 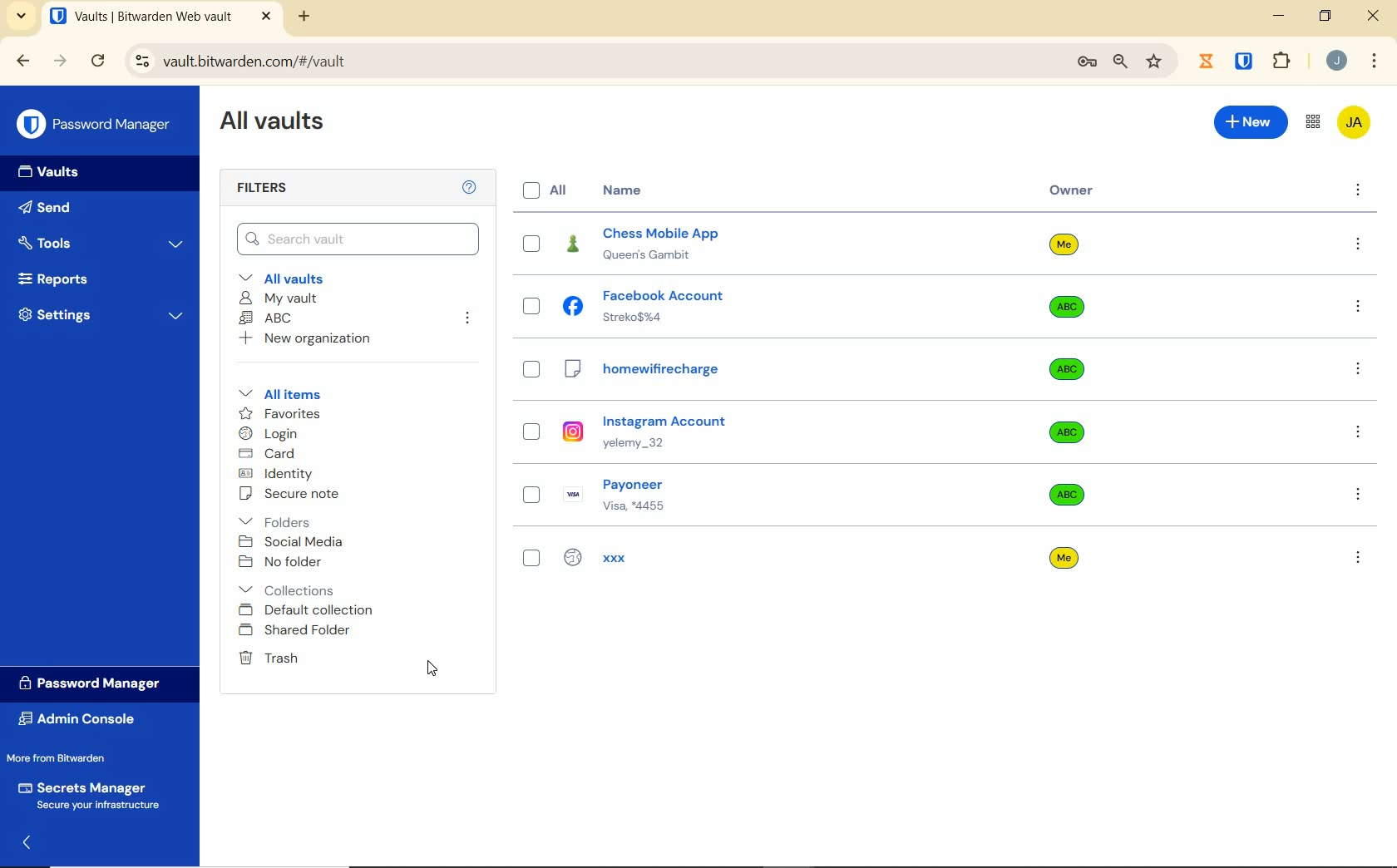 I want to click on jibble extension, so click(x=1206, y=60).